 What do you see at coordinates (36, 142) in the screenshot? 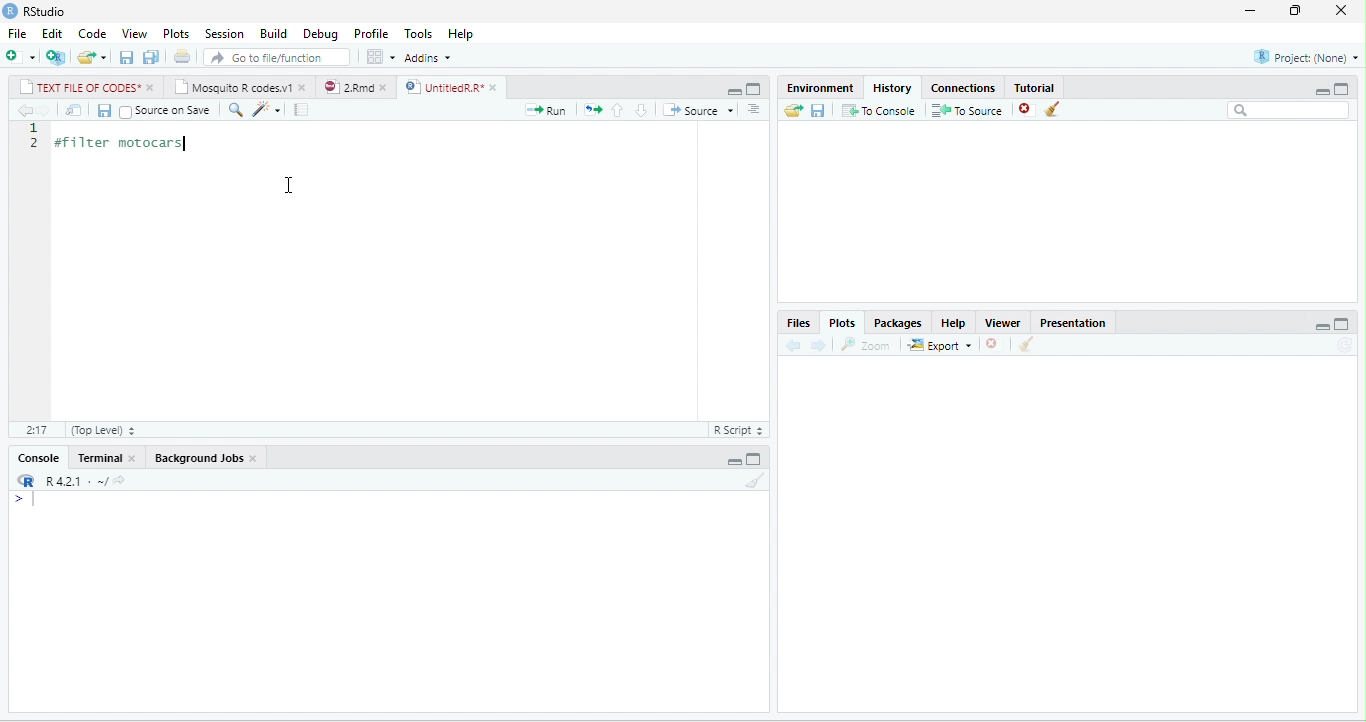
I see `2` at bounding box center [36, 142].